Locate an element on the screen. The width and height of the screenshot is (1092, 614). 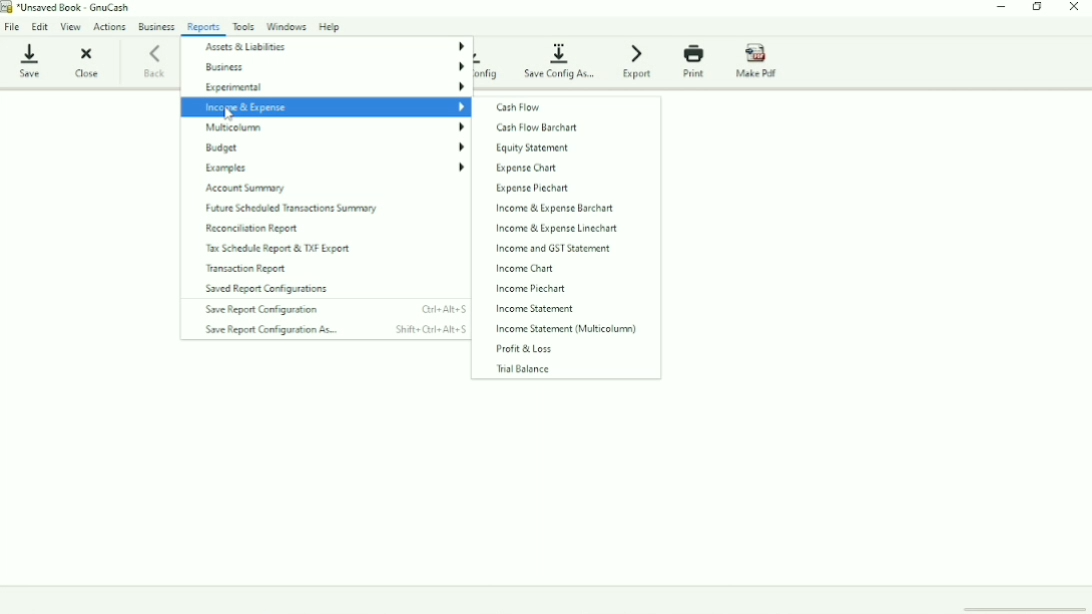
Experimental is located at coordinates (334, 88).